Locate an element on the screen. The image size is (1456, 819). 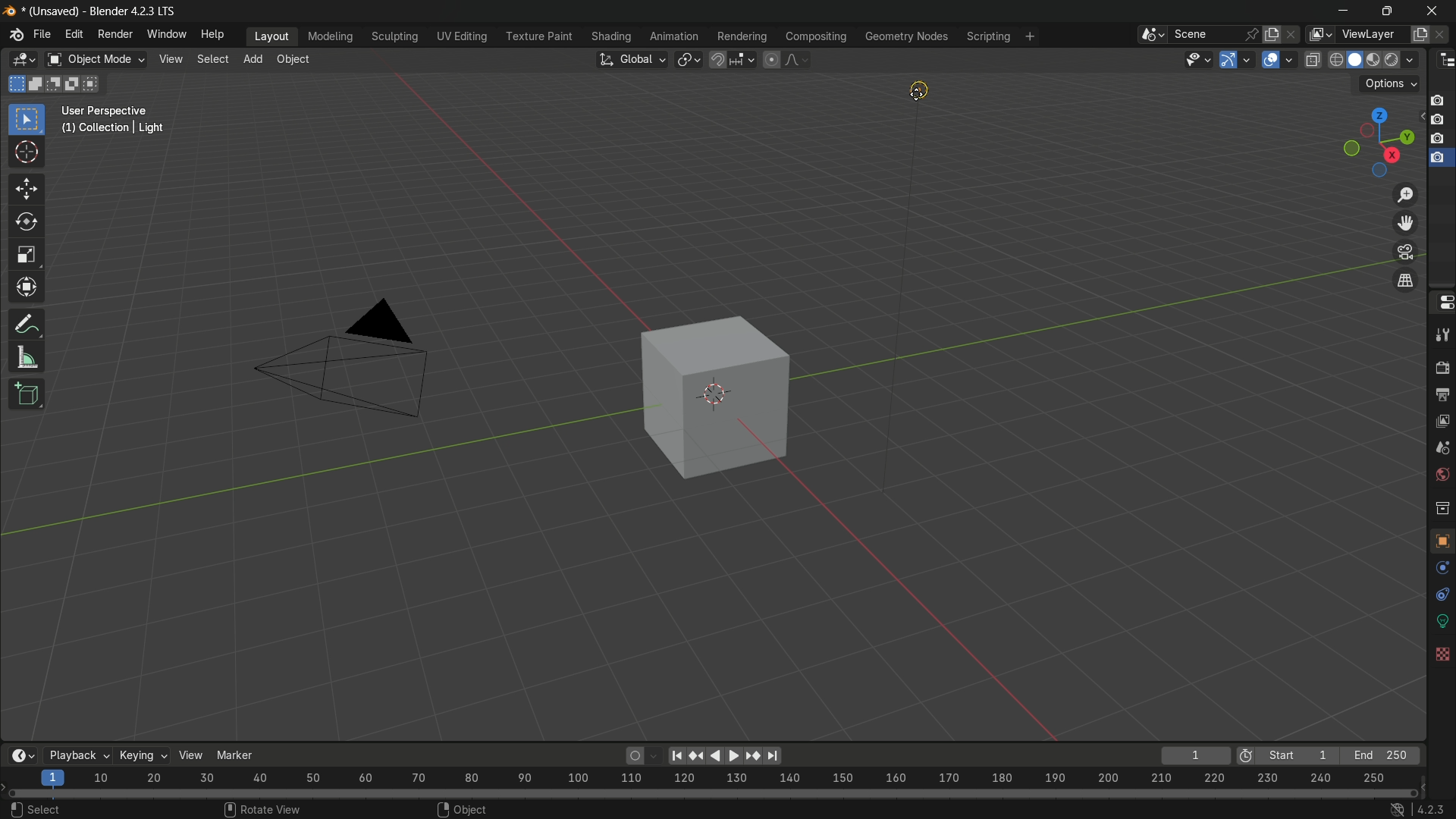
rendered is located at coordinates (1403, 59).